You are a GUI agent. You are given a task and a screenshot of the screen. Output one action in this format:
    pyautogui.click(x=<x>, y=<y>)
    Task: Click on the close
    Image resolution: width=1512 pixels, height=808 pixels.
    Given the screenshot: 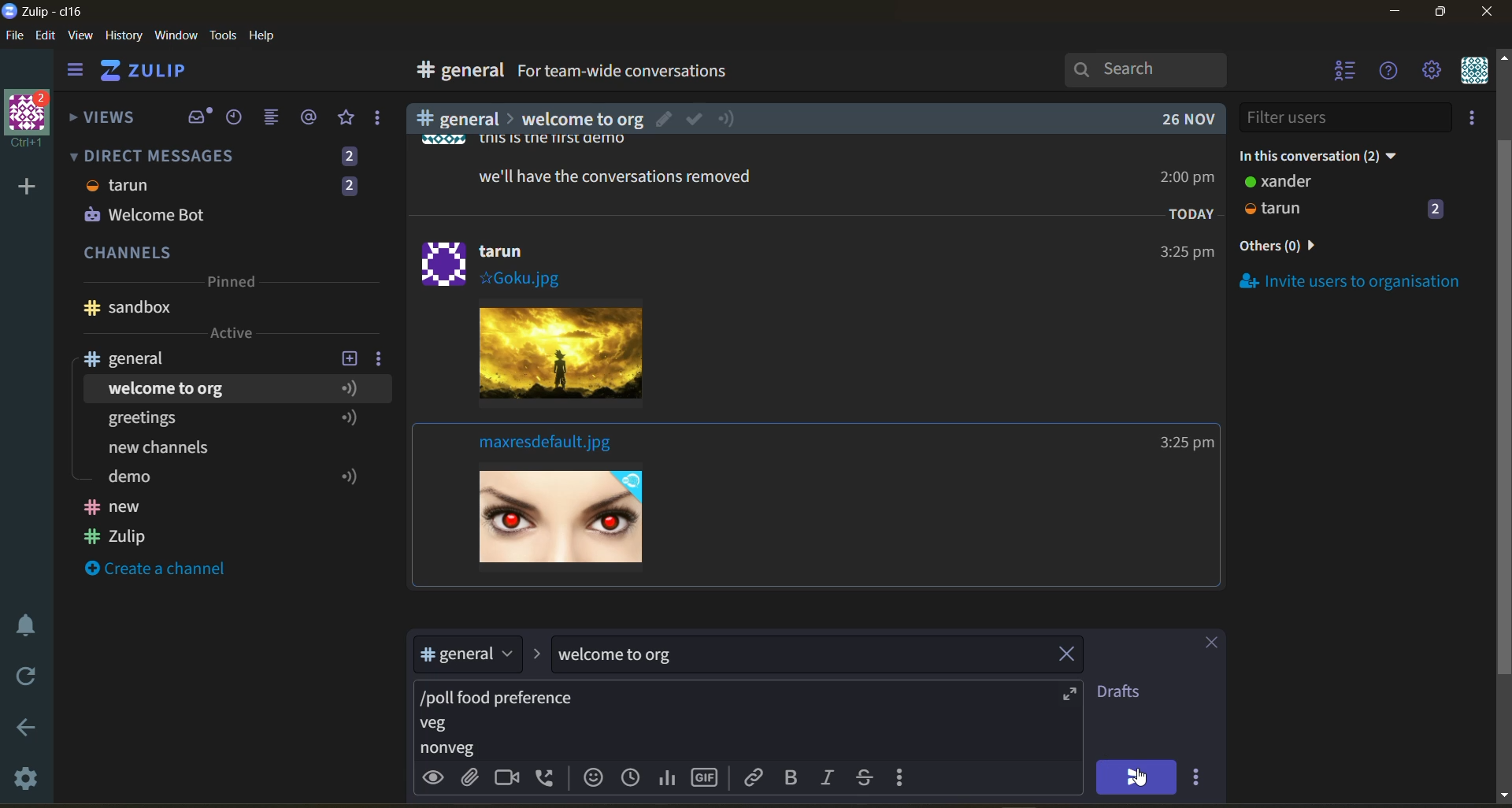 What is the action you would take?
    pyautogui.click(x=1208, y=643)
    